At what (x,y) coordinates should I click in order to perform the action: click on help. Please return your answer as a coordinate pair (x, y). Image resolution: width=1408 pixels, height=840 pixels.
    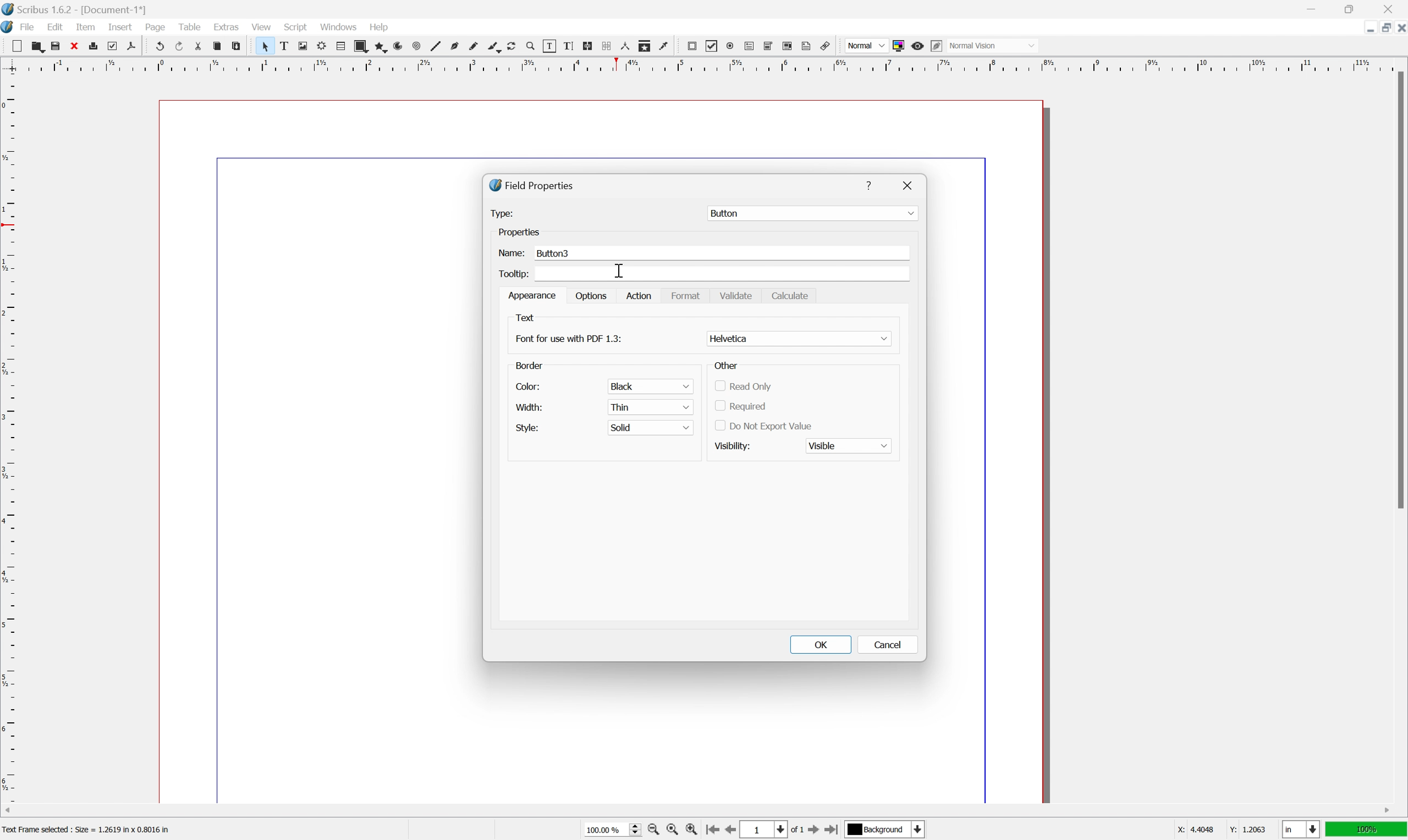
    Looking at the image, I should click on (379, 27).